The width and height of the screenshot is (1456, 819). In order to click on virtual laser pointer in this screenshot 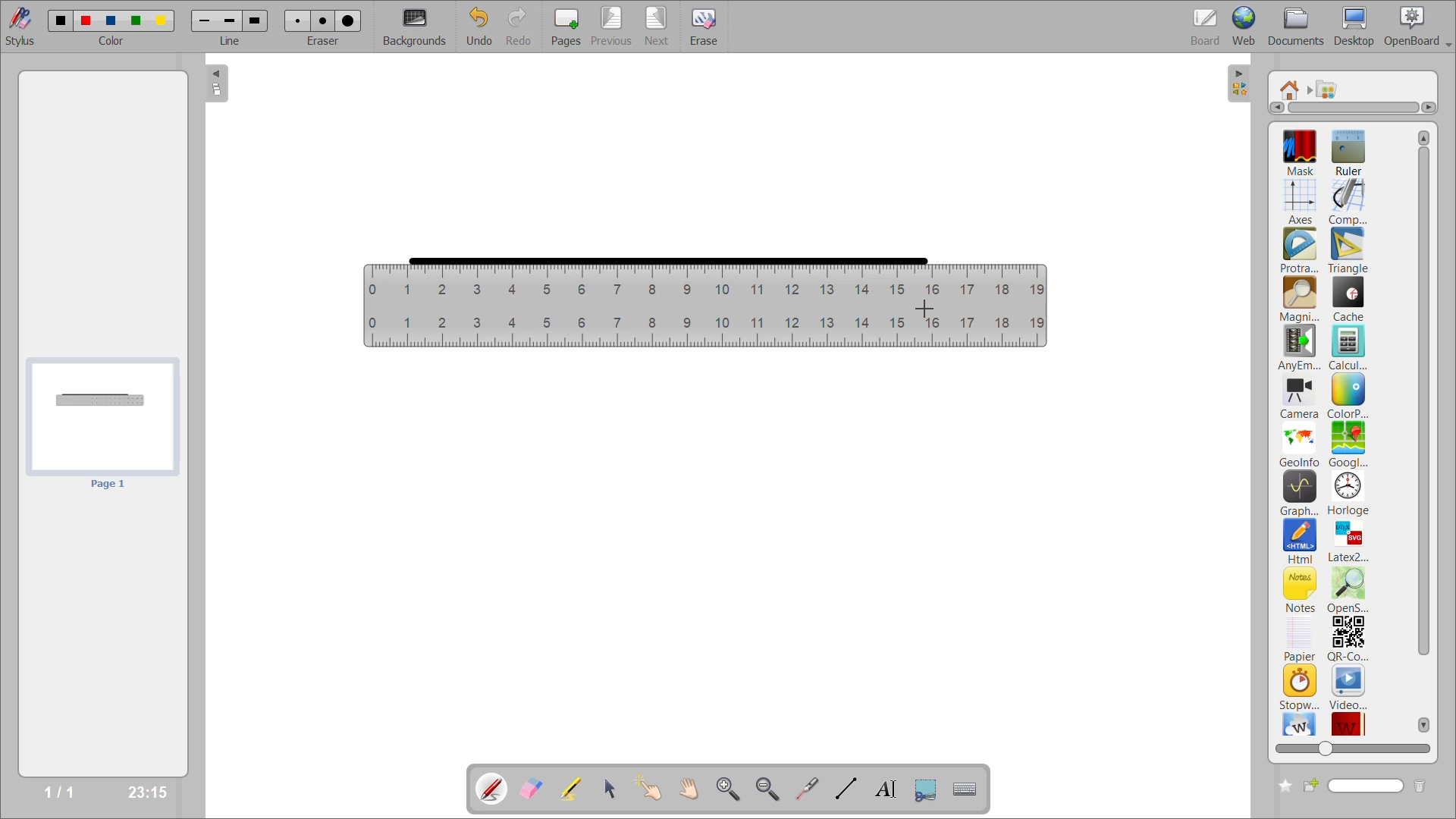, I will do `click(805, 788)`.